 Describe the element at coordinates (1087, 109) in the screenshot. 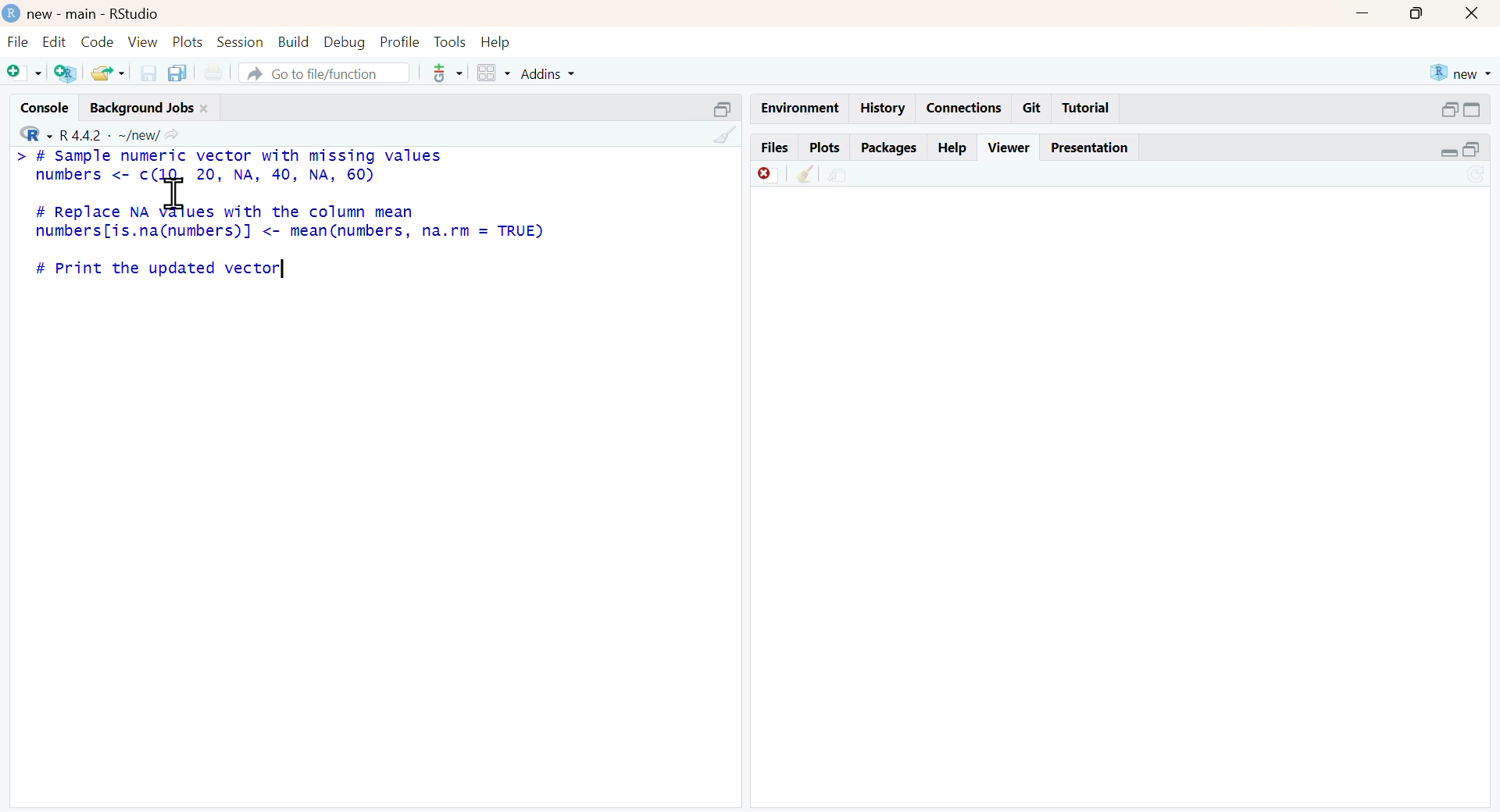

I see `tutorial` at that location.